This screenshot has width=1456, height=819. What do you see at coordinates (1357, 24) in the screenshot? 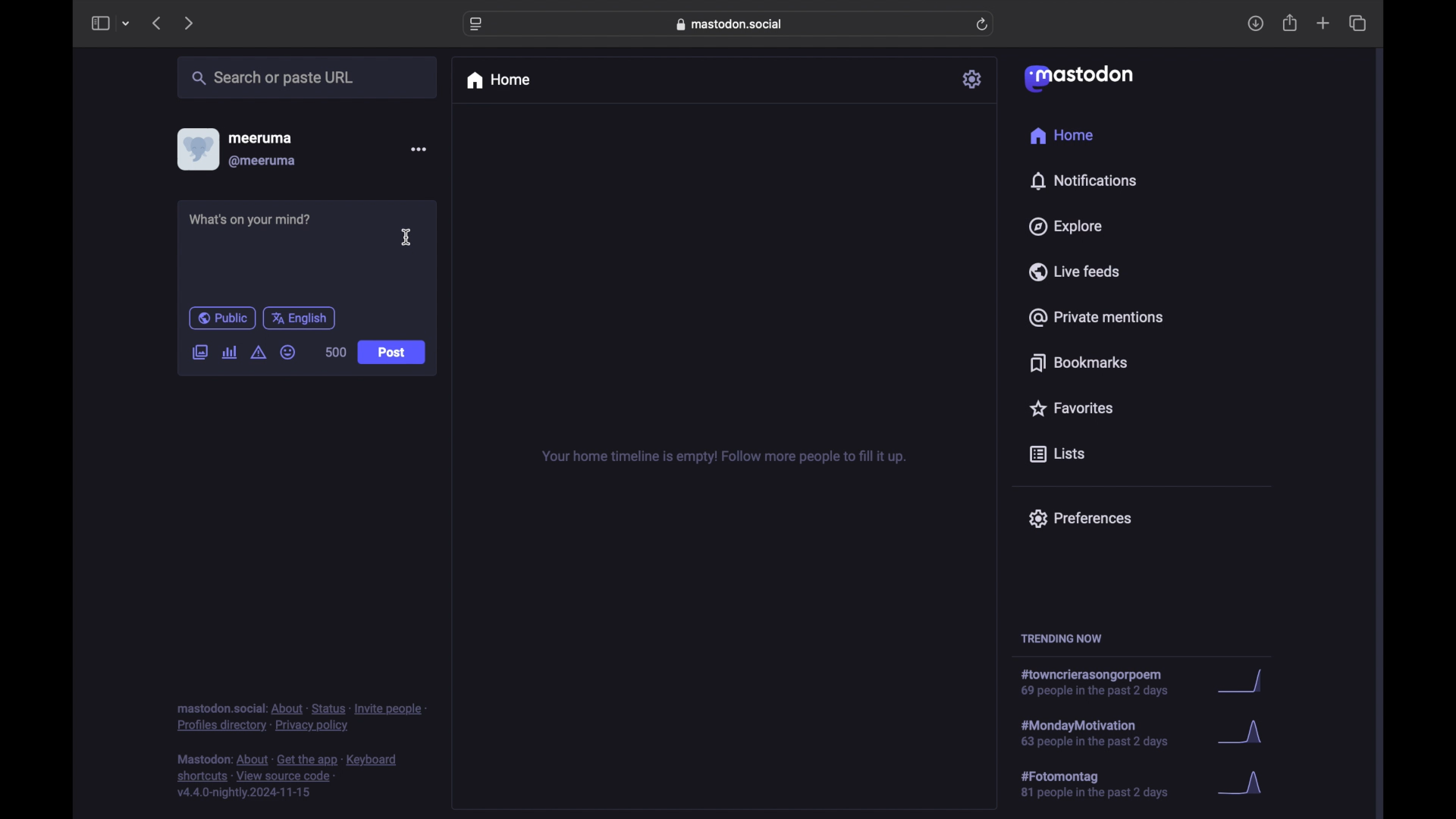
I see `show tab overview` at bounding box center [1357, 24].